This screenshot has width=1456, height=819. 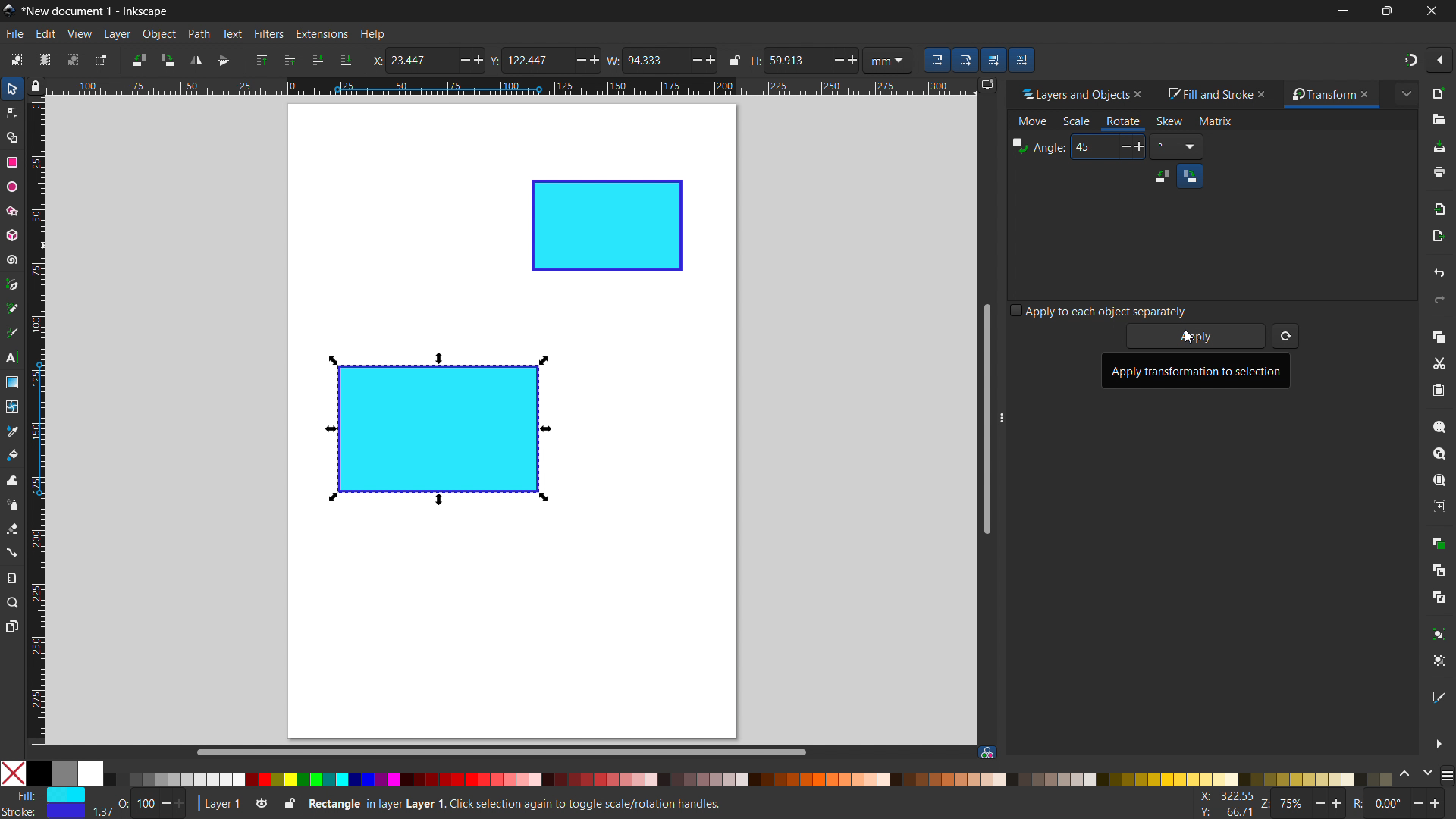 I want to click on toggle lock current layer, so click(x=289, y=802).